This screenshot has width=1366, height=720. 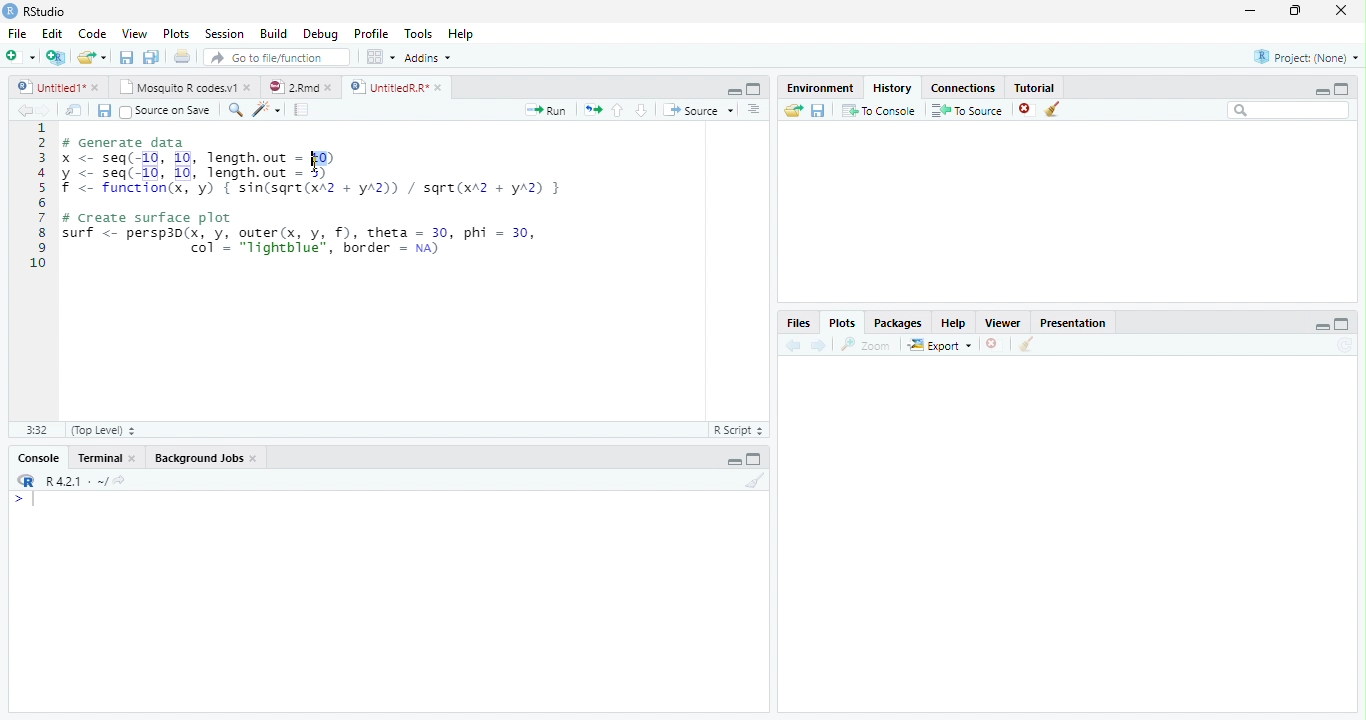 What do you see at coordinates (37, 430) in the screenshot?
I see `1:1` at bounding box center [37, 430].